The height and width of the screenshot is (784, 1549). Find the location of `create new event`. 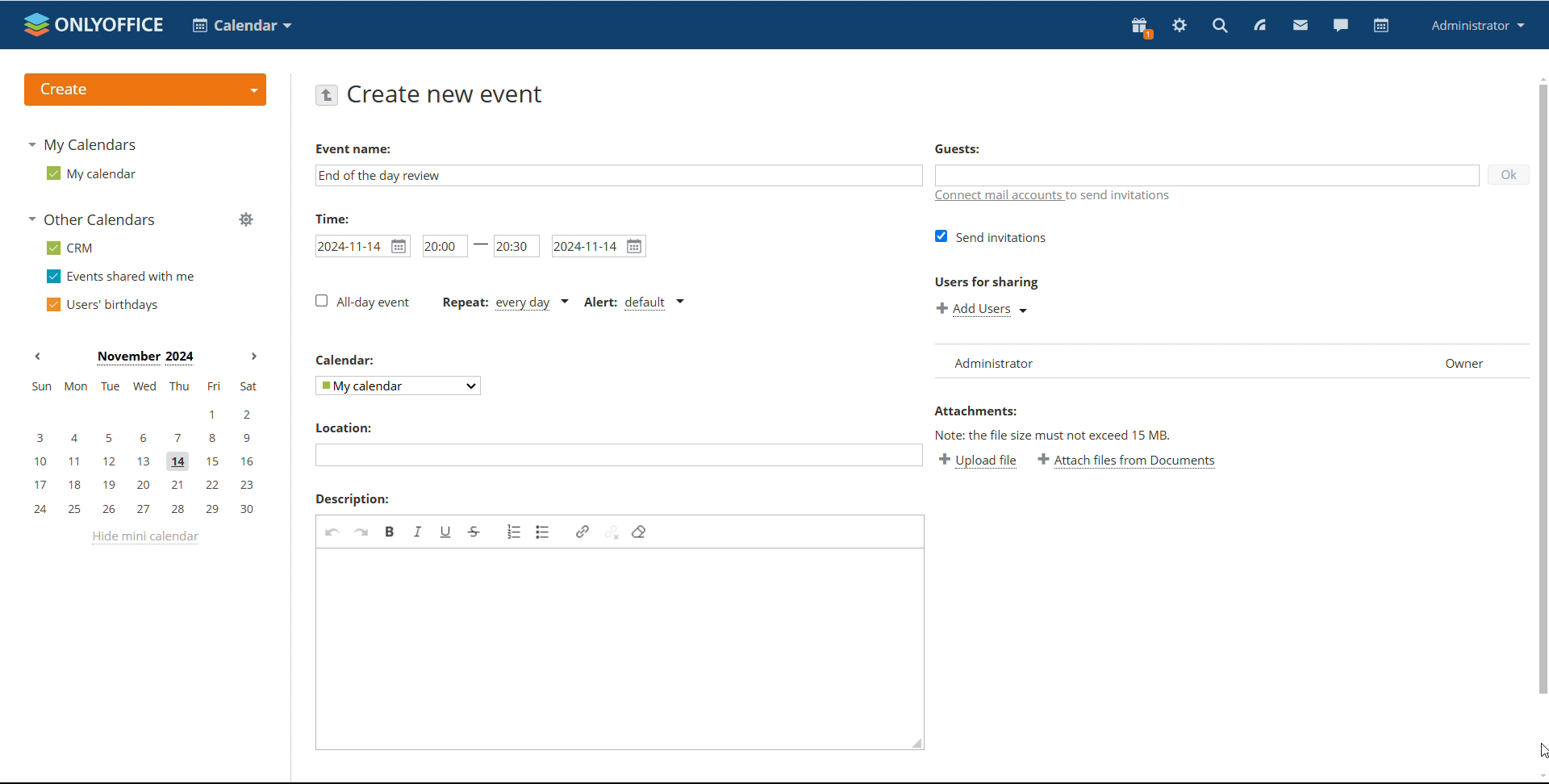

create new event is located at coordinates (449, 94).